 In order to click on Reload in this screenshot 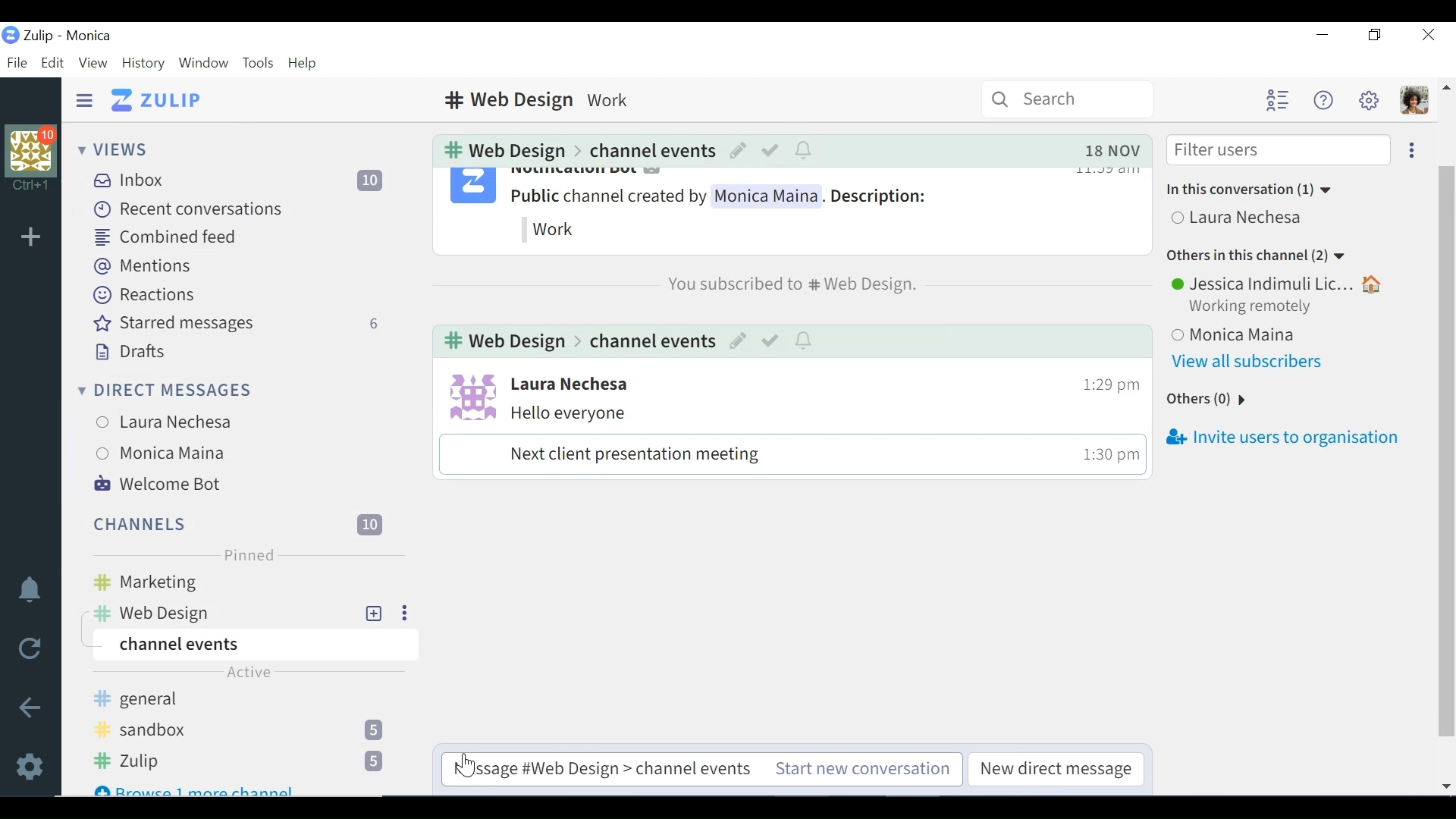, I will do `click(29, 648)`.